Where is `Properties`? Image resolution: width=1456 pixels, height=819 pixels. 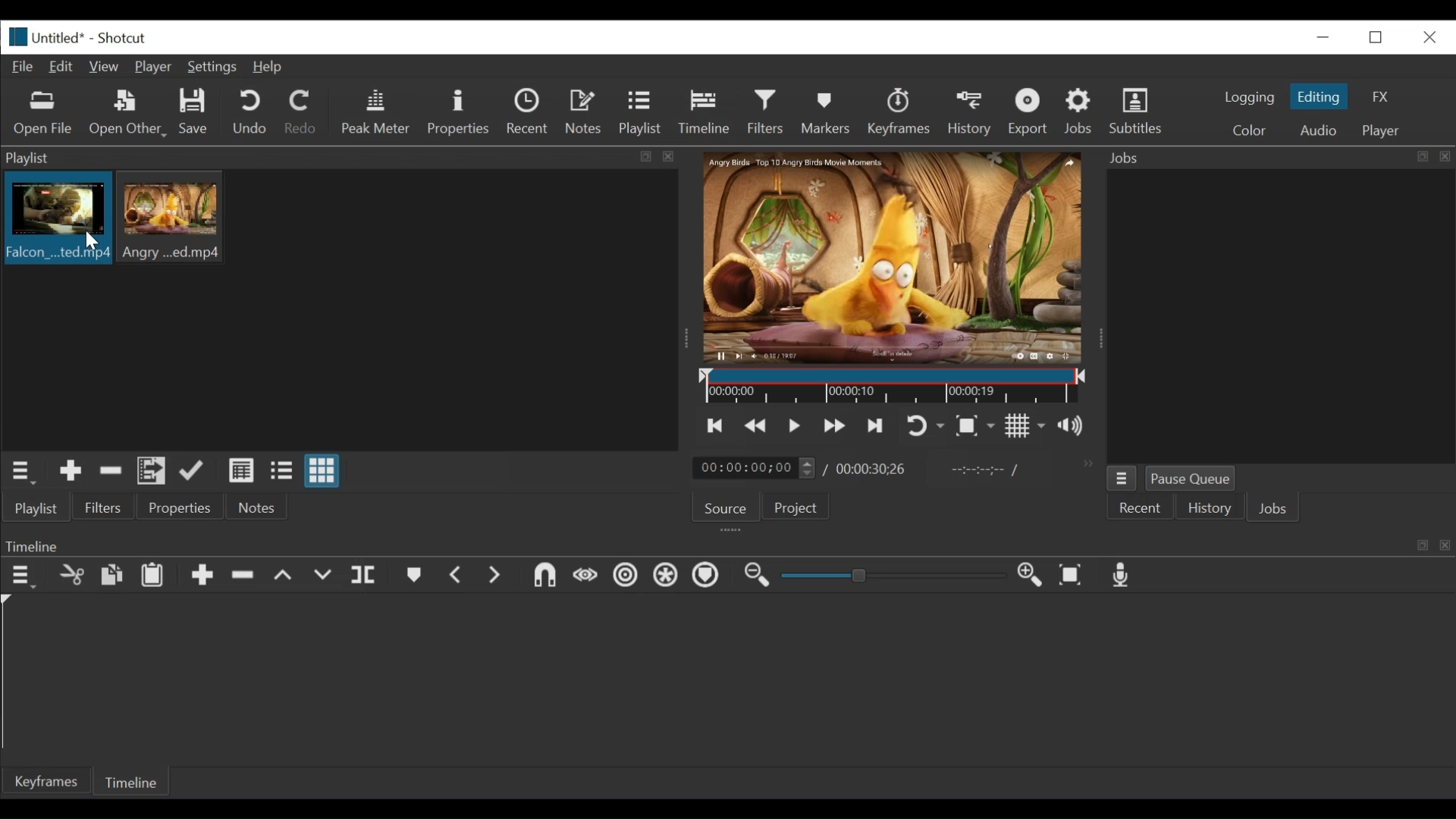
Properties is located at coordinates (460, 112).